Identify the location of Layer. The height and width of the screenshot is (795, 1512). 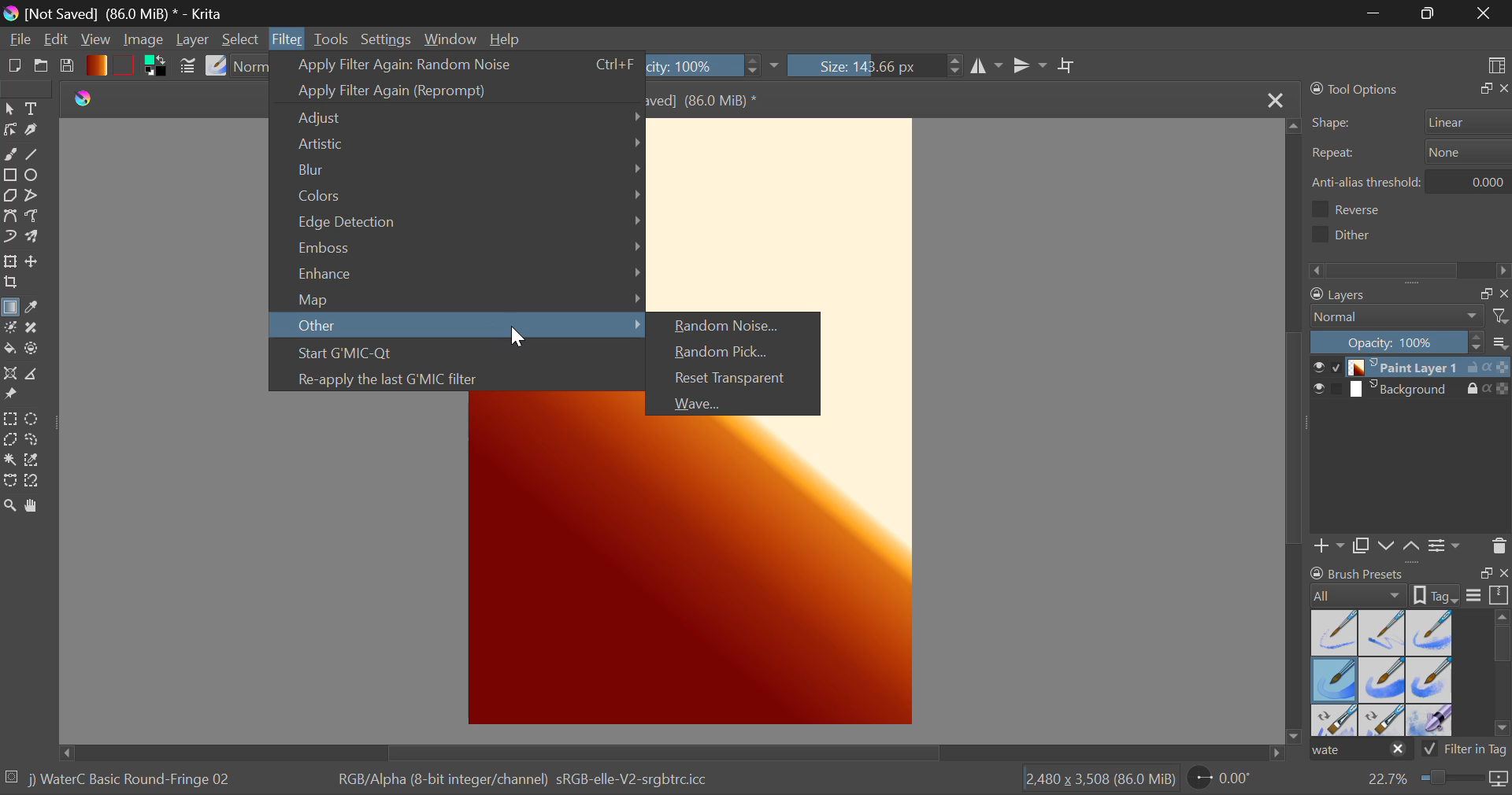
(195, 39).